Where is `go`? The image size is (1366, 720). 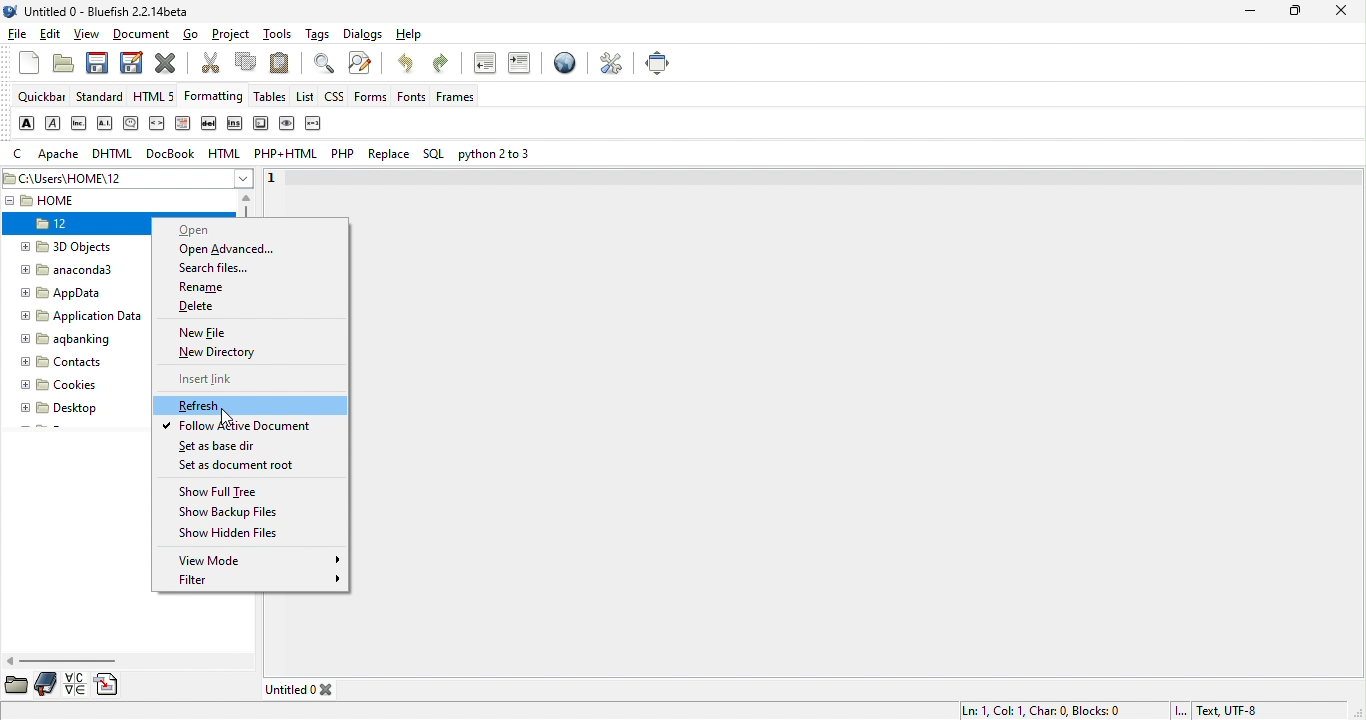
go is located at coordinates (192, 33).